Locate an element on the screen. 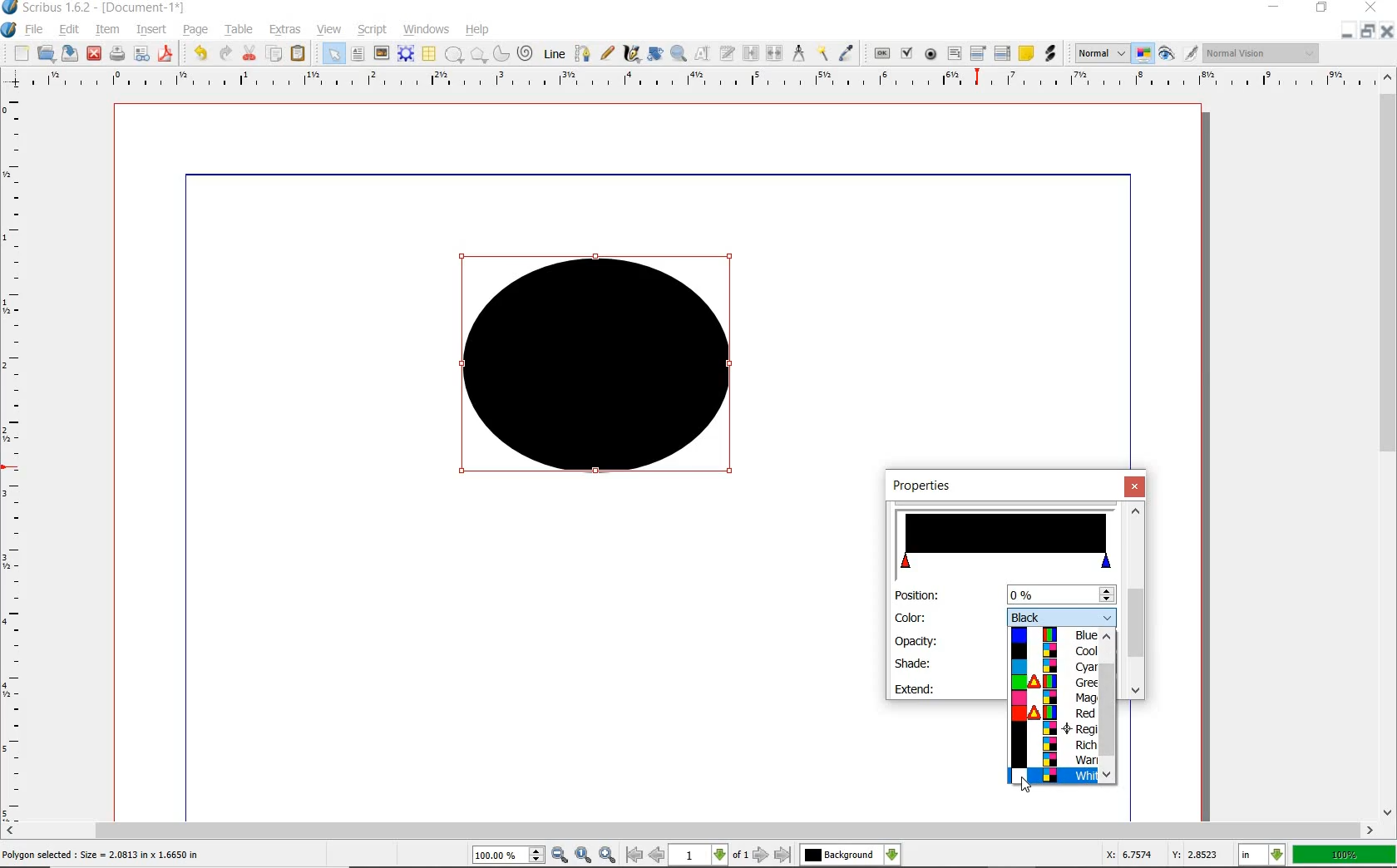  close is located at coordinates (1137, 486).